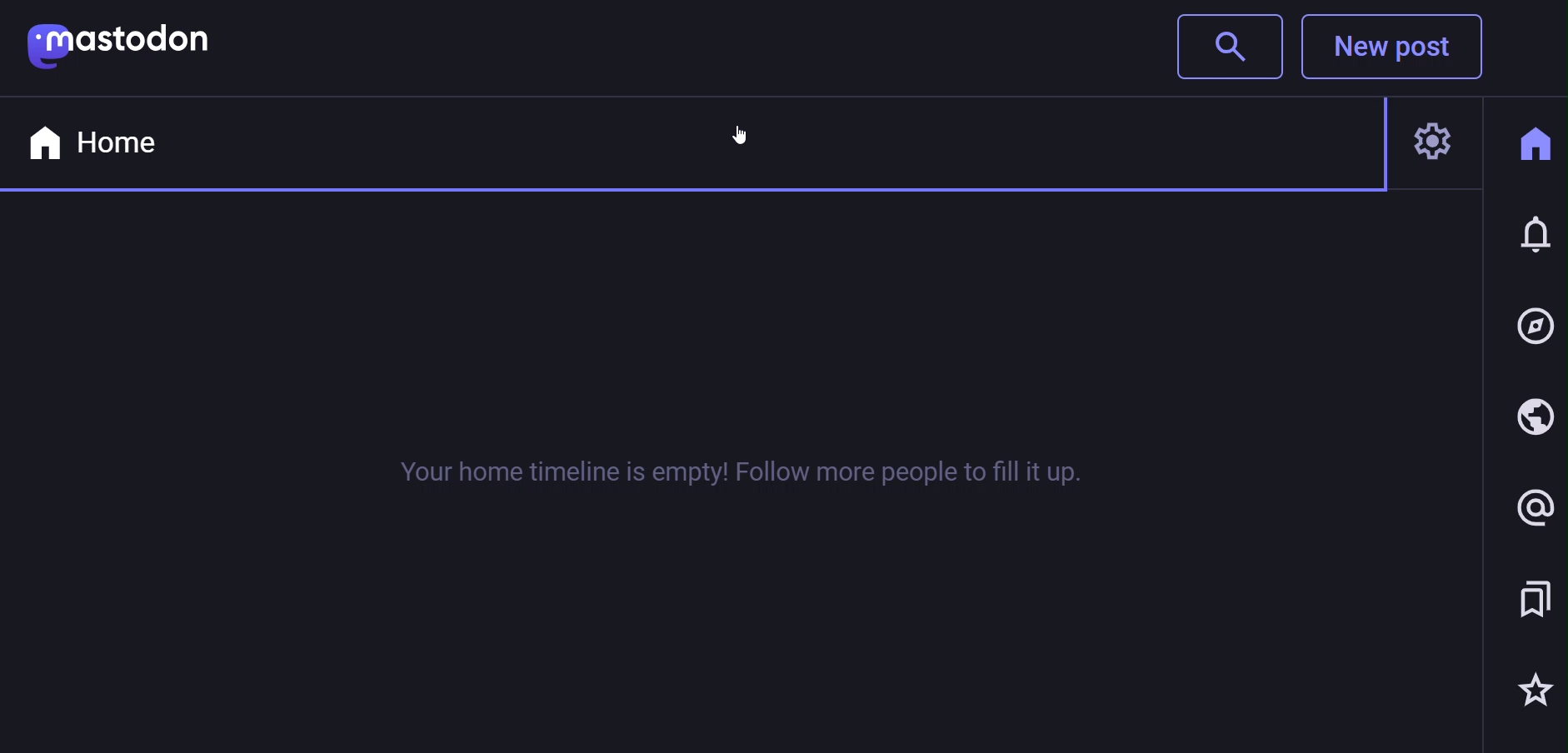  I want to click on setting, so click(1437, 147).